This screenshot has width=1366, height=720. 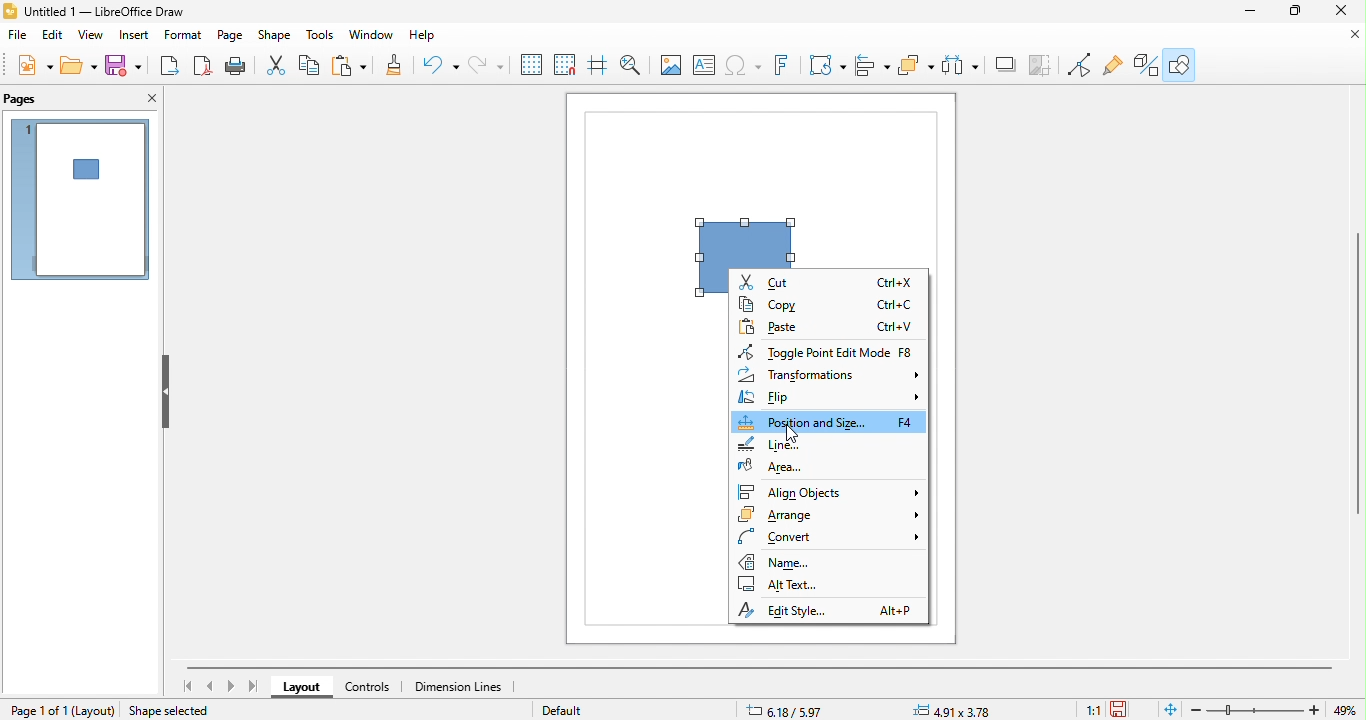 What do you see at coordinates (275, 37) in the screenshot?
I see `shape` at bounding box center [275, 37].